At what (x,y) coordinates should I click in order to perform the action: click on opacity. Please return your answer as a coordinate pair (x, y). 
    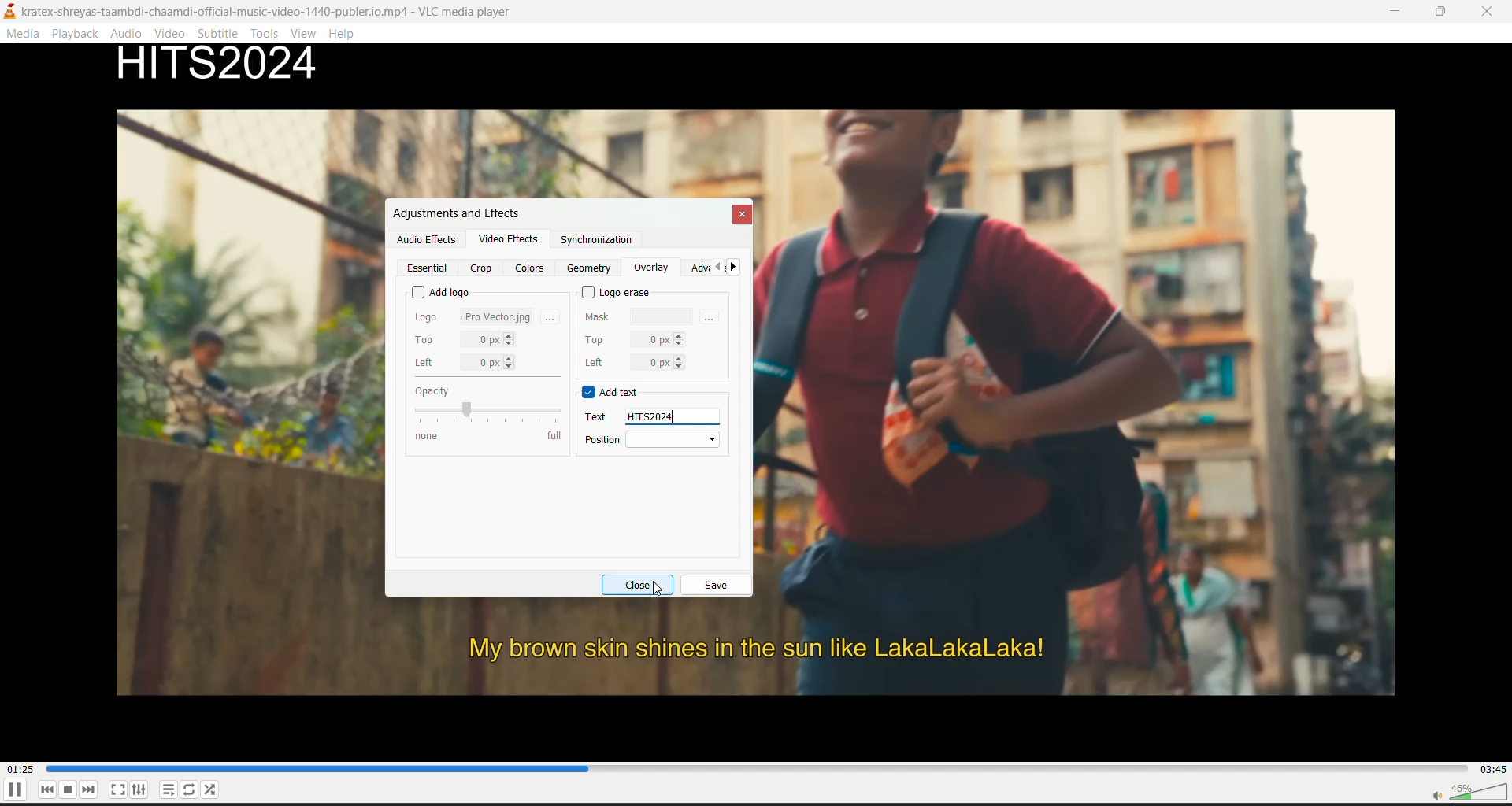
    Looking at the image, I should click on (486, 412).